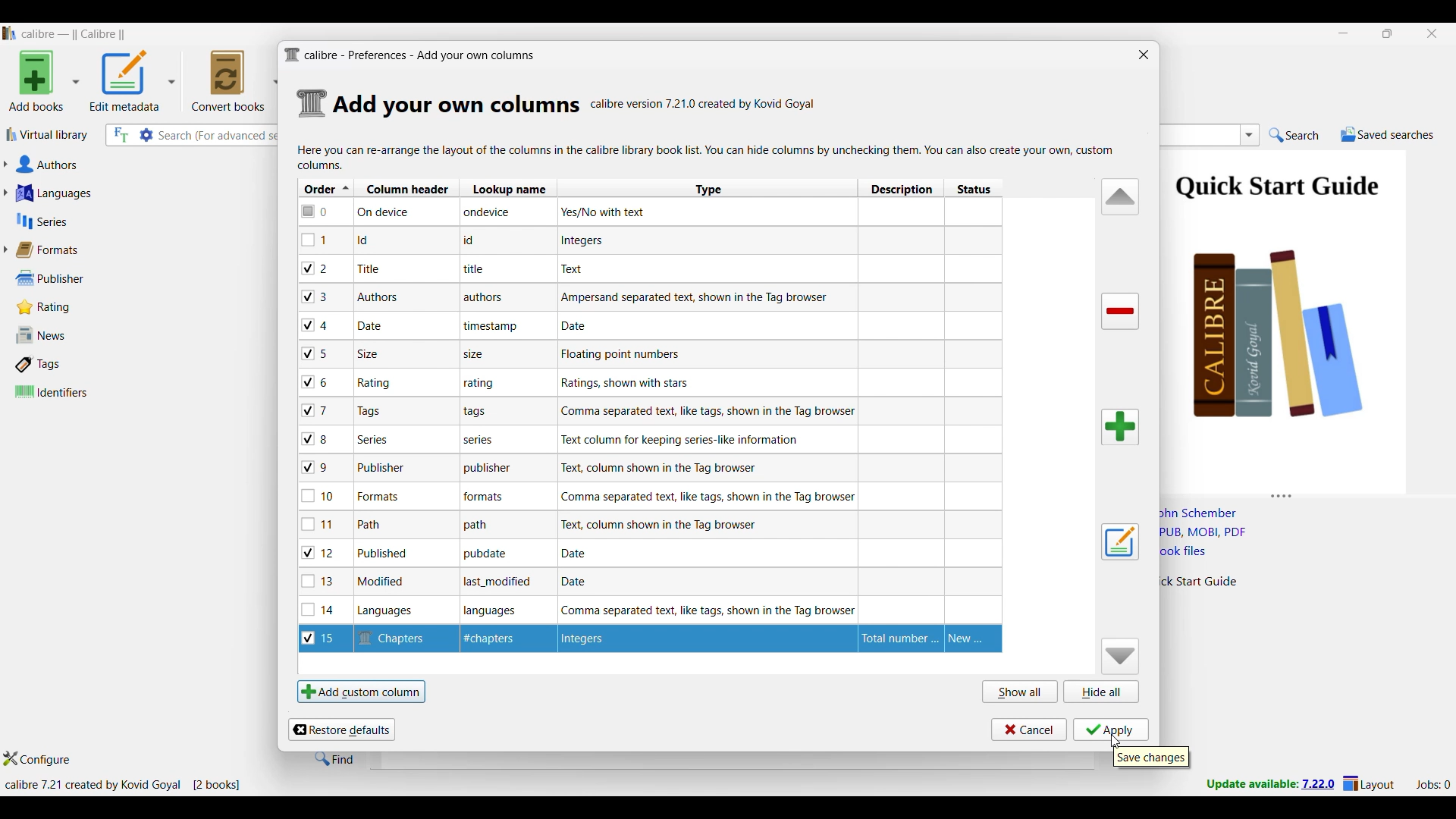 This screenshot has width=1456, height=819. What do you see at coordinates (578, 268) in the screenshot?
I see `Explanation` at bounding box center [578, 268].